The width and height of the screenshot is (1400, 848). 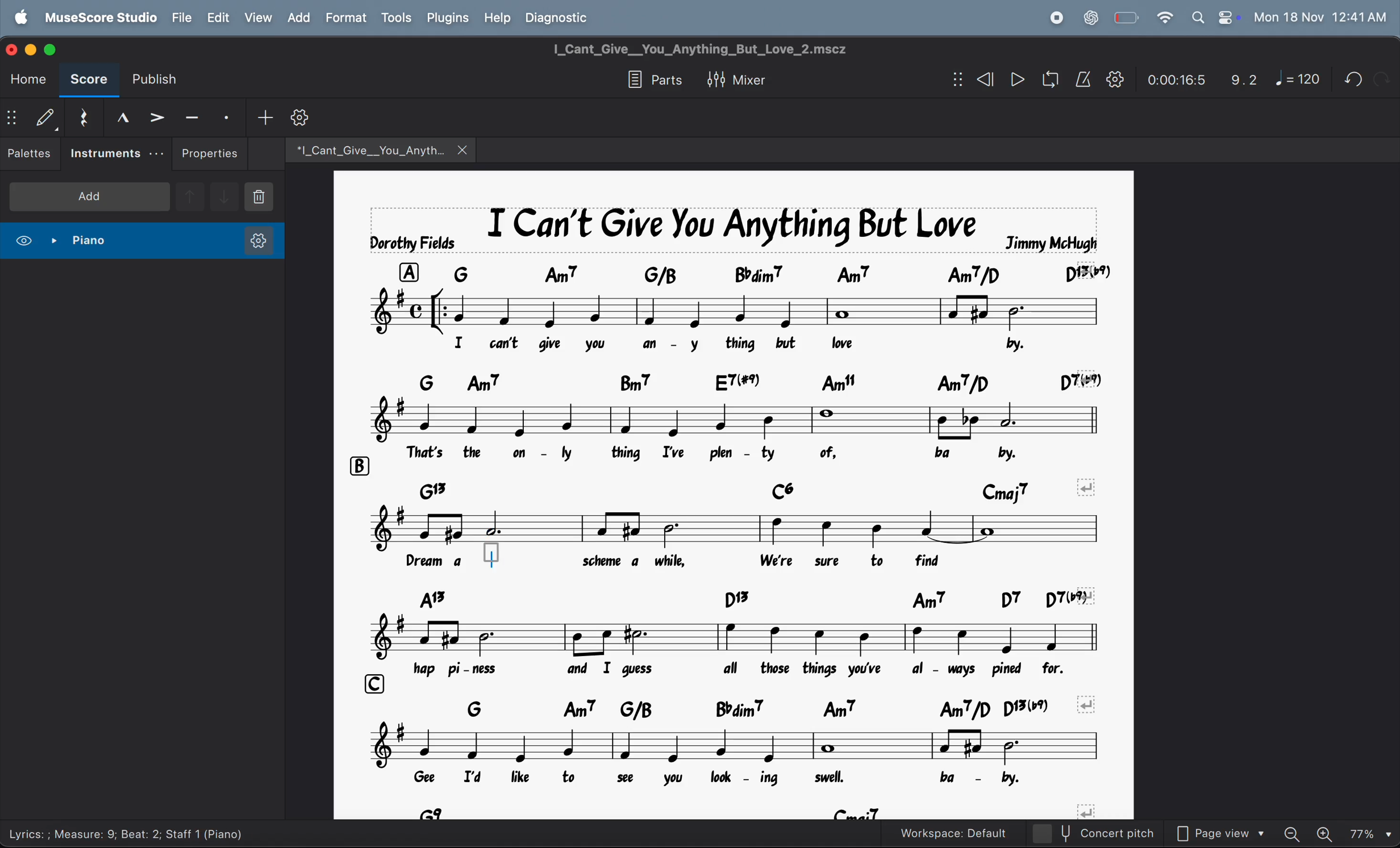 I want to click on music file, so click(x=369, y=149).